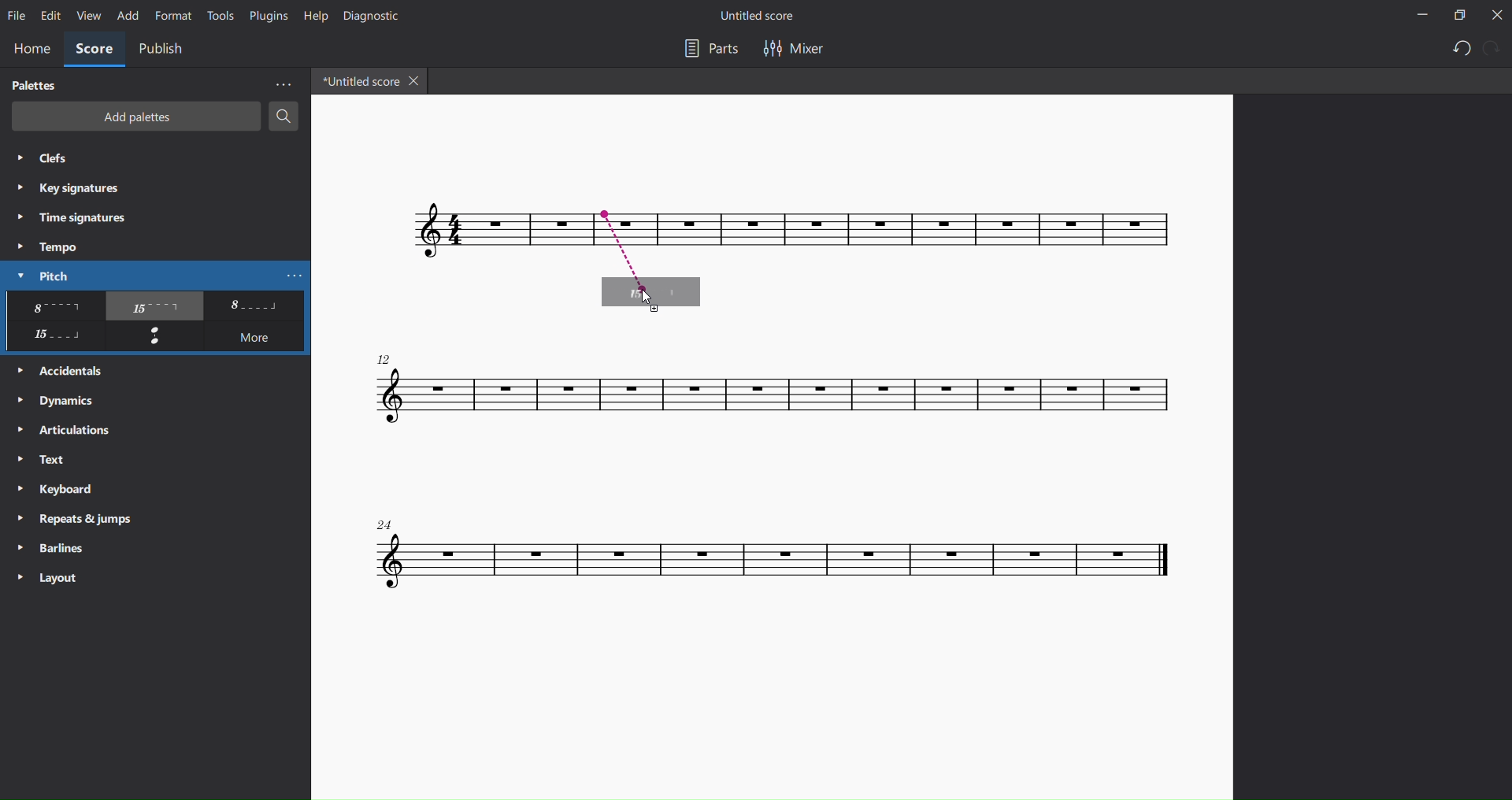  I want to click on title, so click(762, 17).